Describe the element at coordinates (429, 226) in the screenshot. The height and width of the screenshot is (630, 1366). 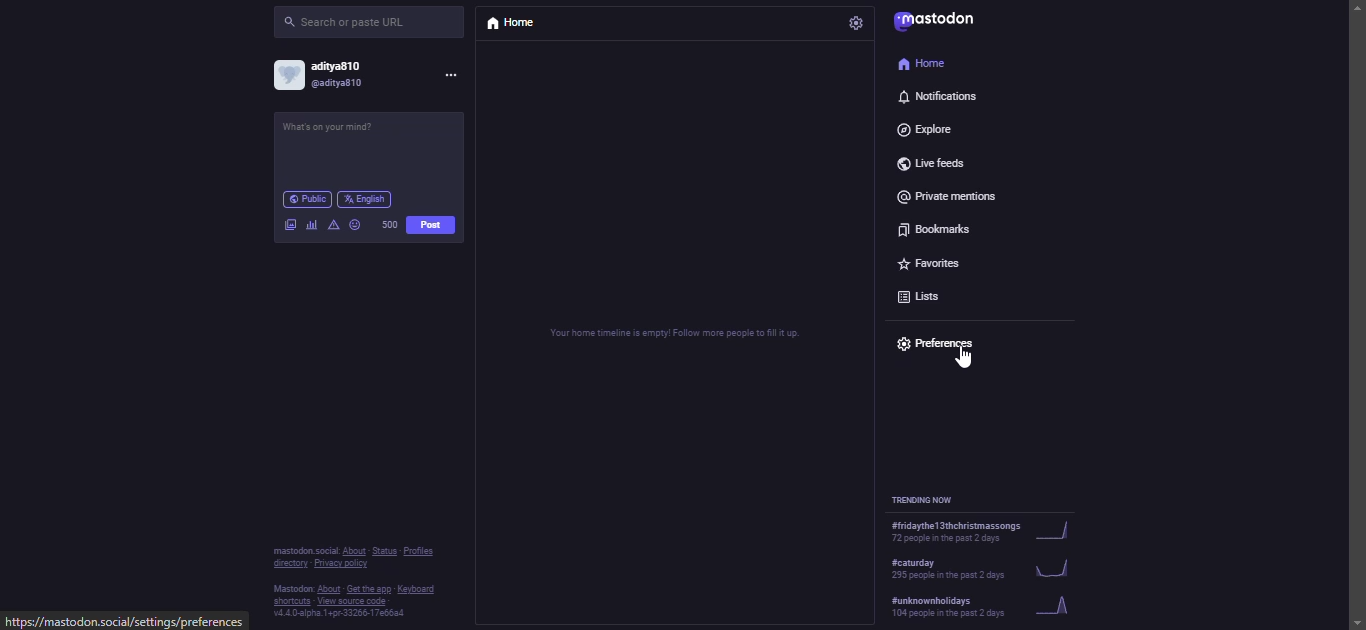
I see `post` at that location.